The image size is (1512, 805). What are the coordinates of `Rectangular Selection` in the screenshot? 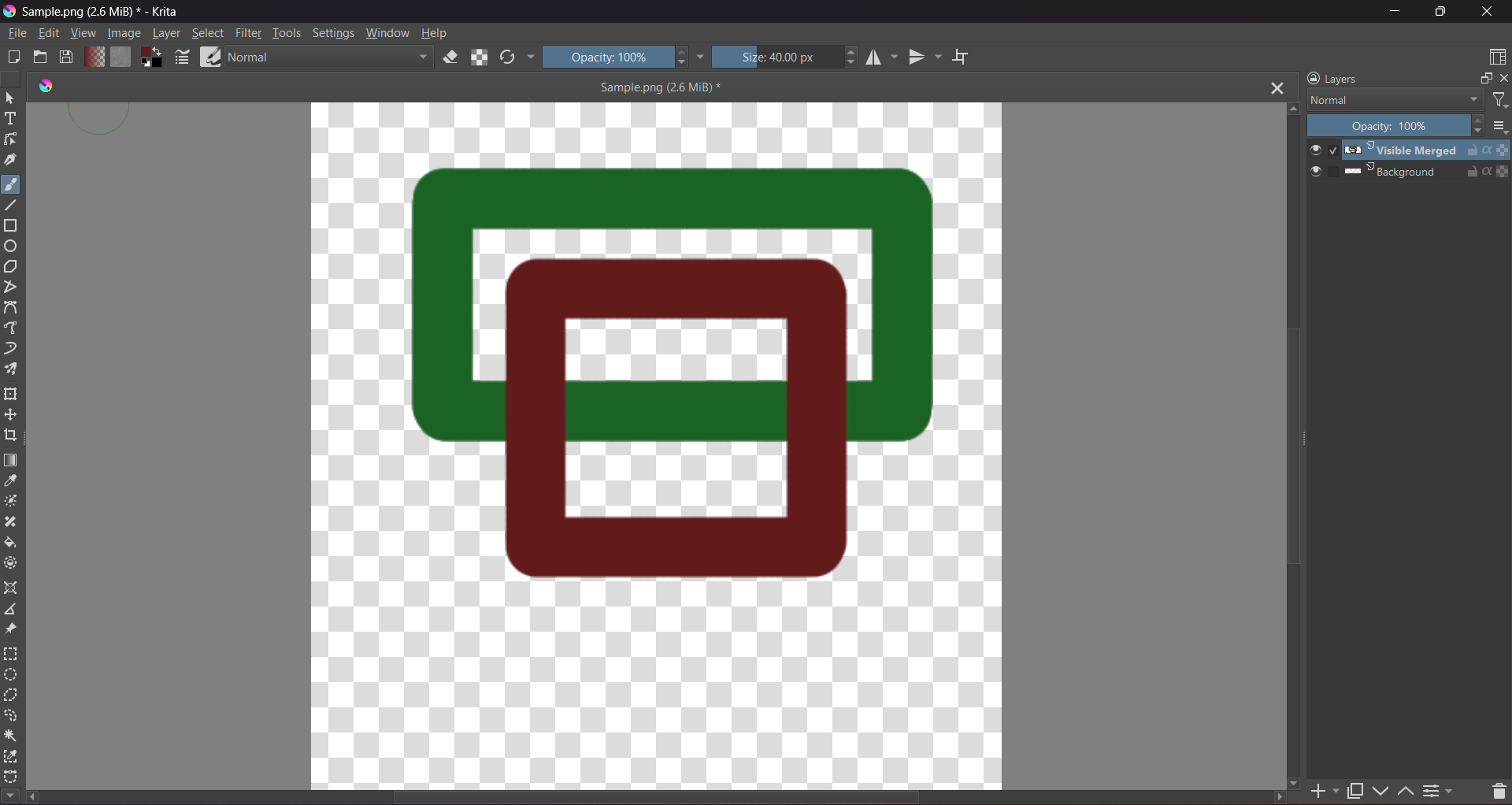 It's located at (11, 653).